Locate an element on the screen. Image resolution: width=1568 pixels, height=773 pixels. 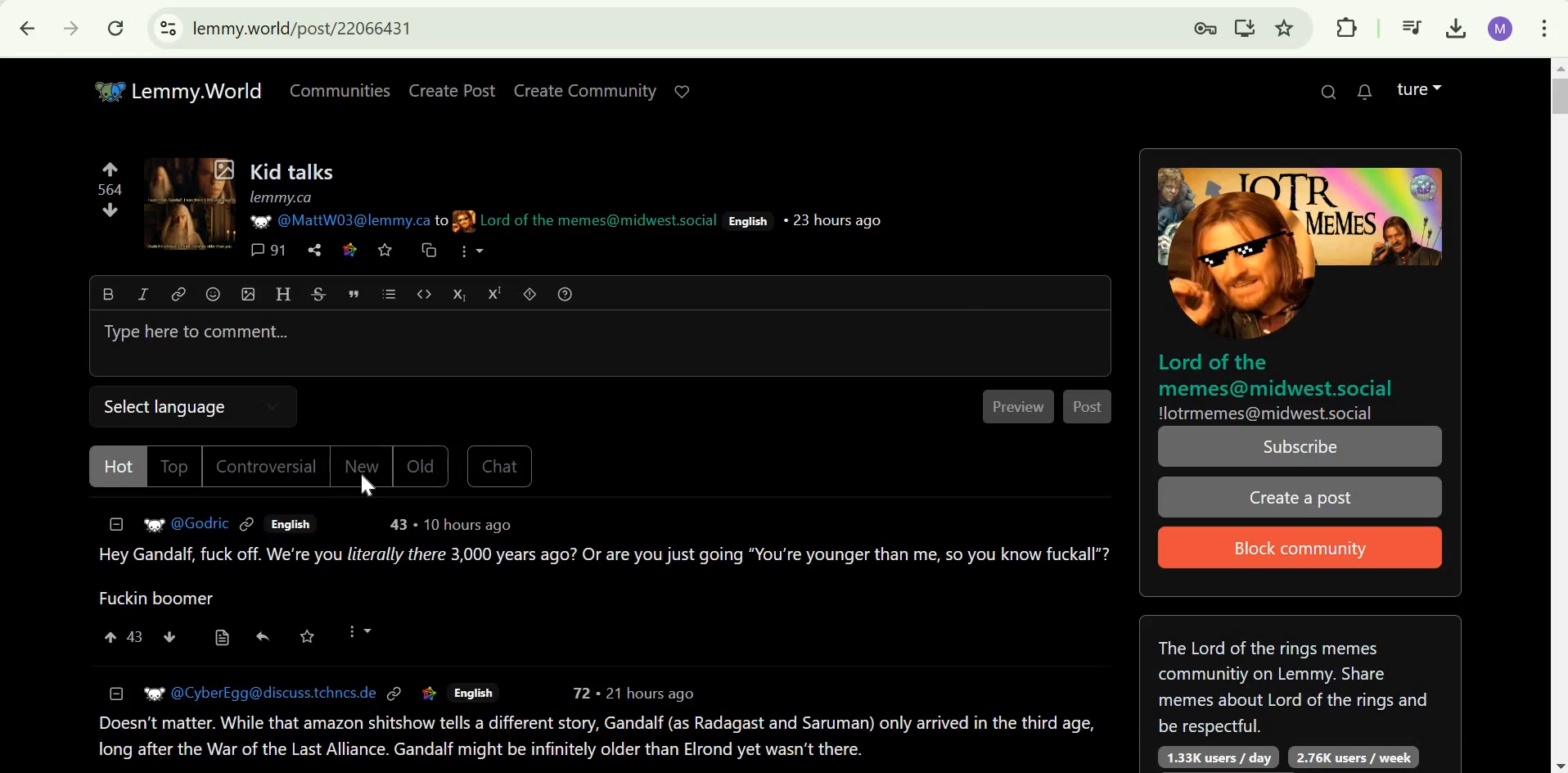
New is located at coordinates (360, 464).